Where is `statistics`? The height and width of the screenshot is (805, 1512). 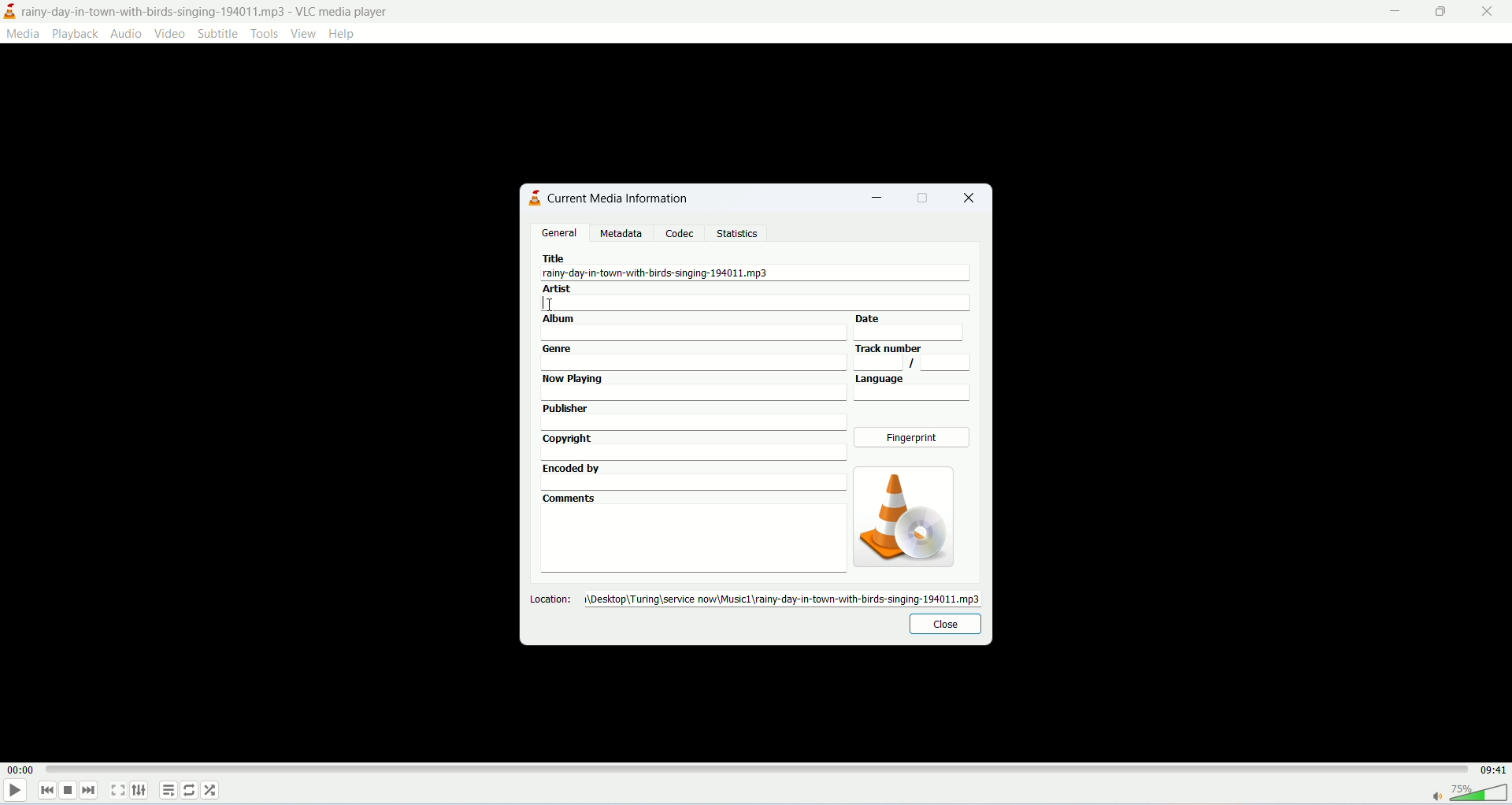
statistics is located at coordinates (738, 232).